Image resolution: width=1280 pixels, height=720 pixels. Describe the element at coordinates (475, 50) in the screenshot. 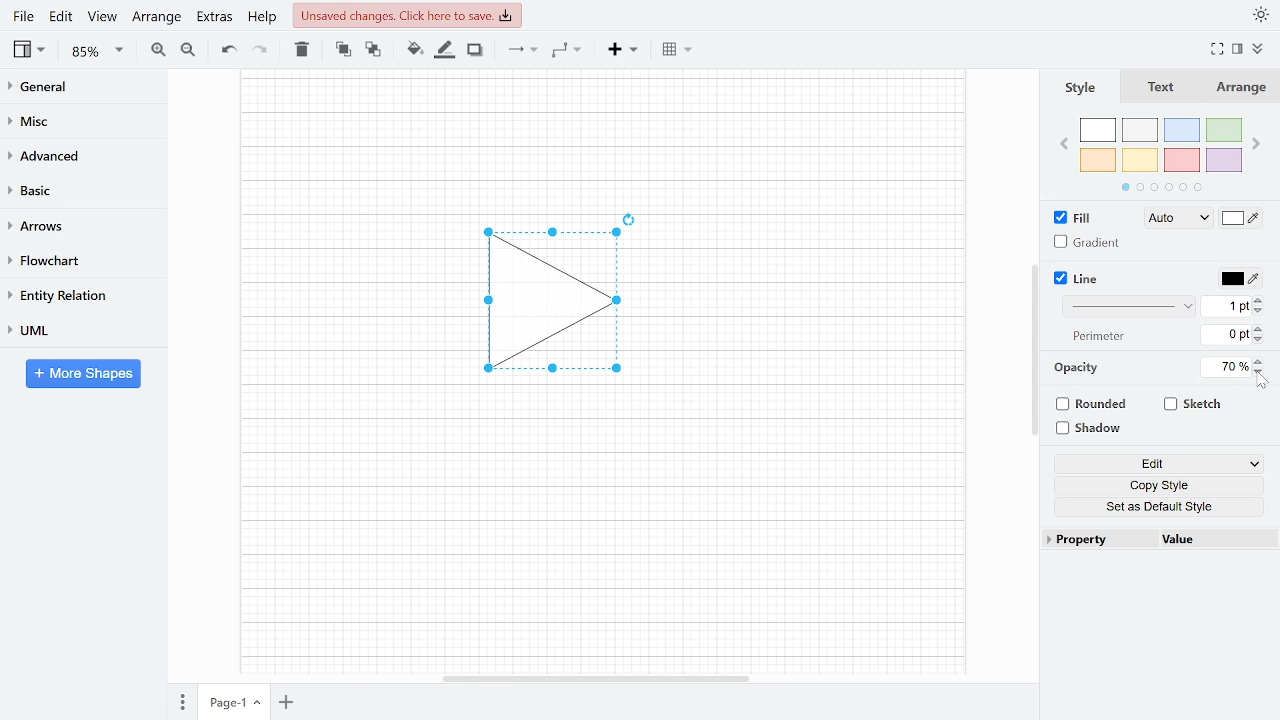

I see `Shadow` at that location.